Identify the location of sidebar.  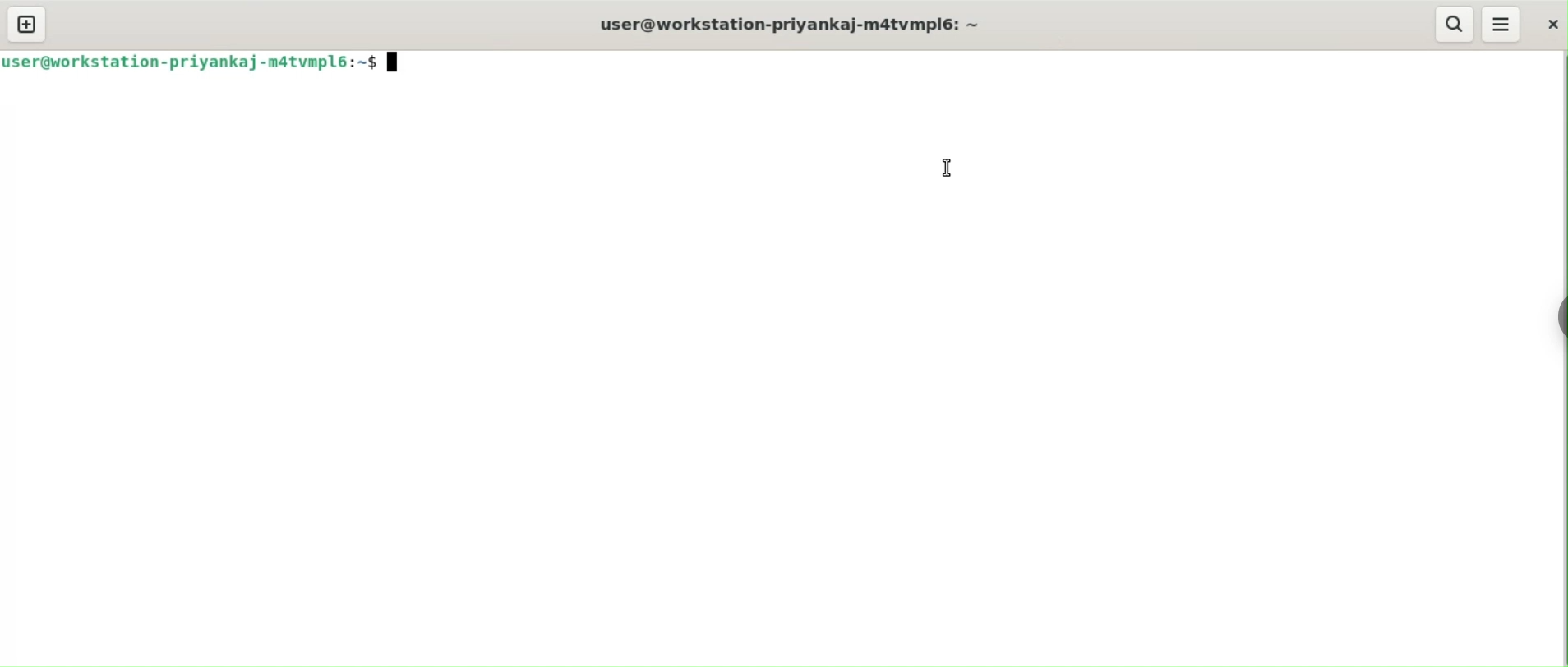
(1560, 315).